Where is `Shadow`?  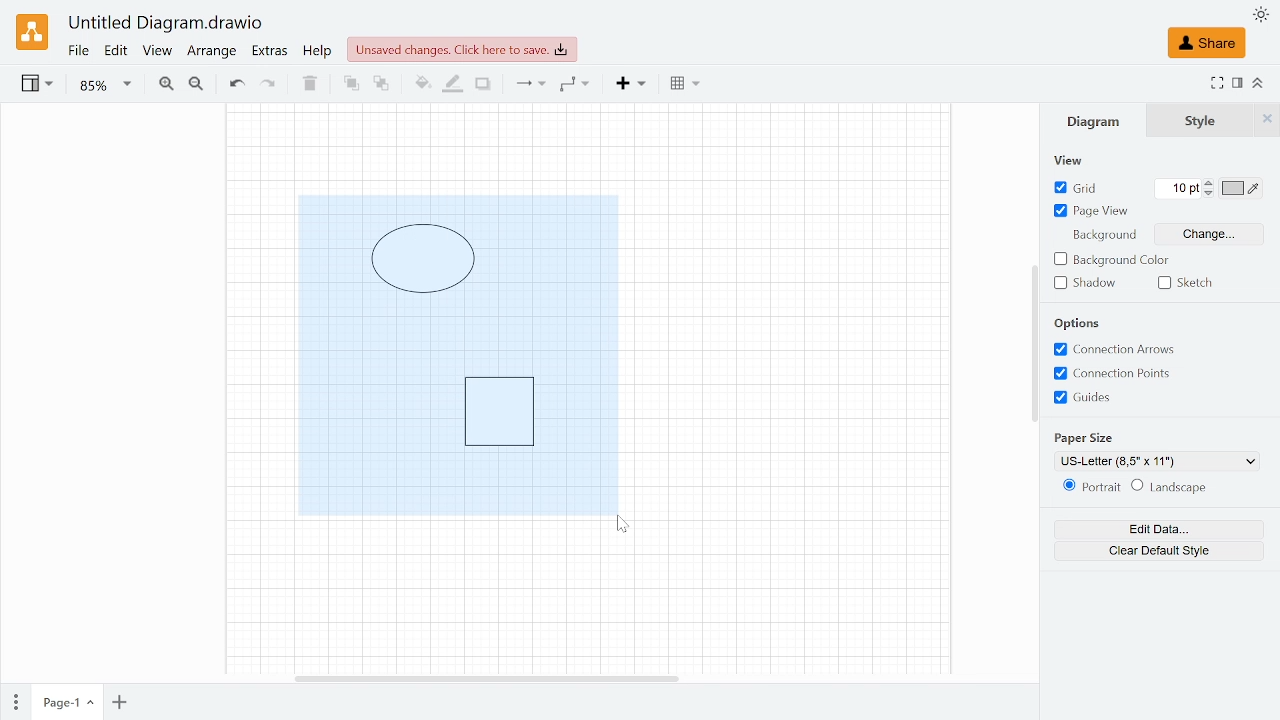 Shadow is located at coordinates (483, 85).